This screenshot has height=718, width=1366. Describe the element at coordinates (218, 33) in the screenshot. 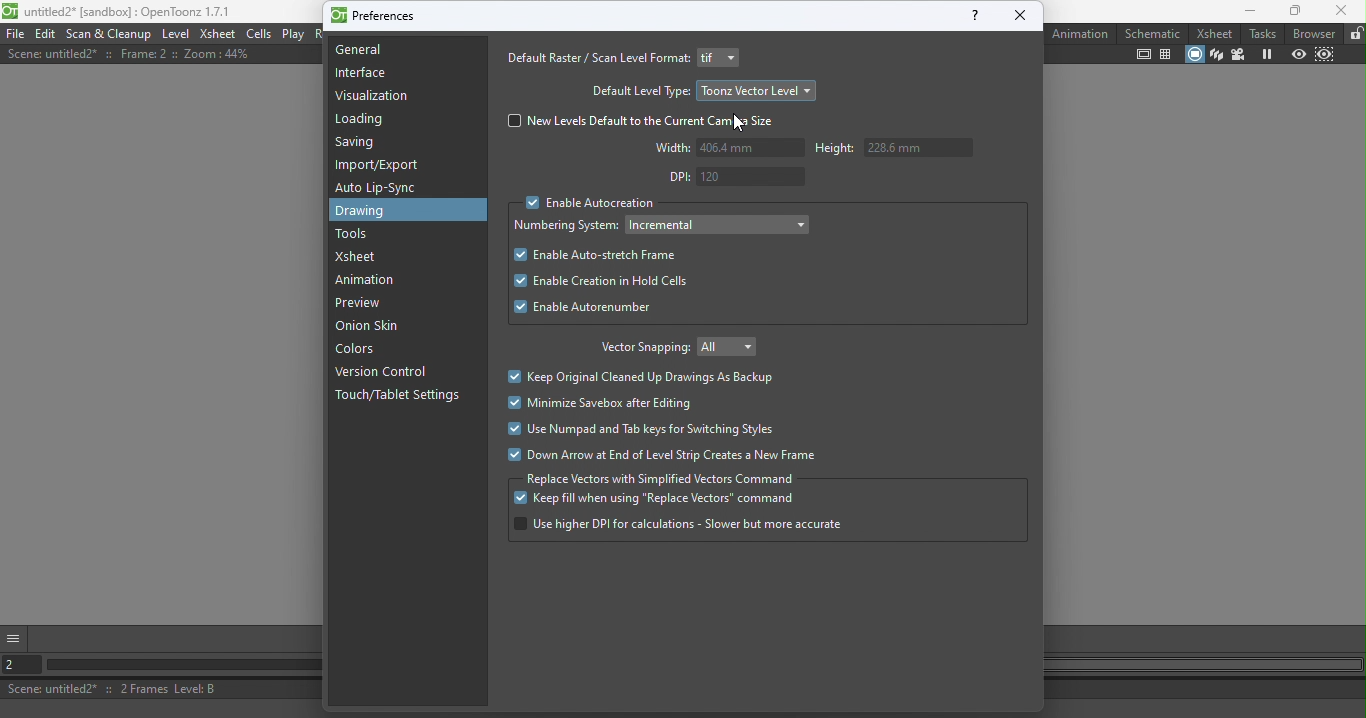

I see `Xsheet` at that location.